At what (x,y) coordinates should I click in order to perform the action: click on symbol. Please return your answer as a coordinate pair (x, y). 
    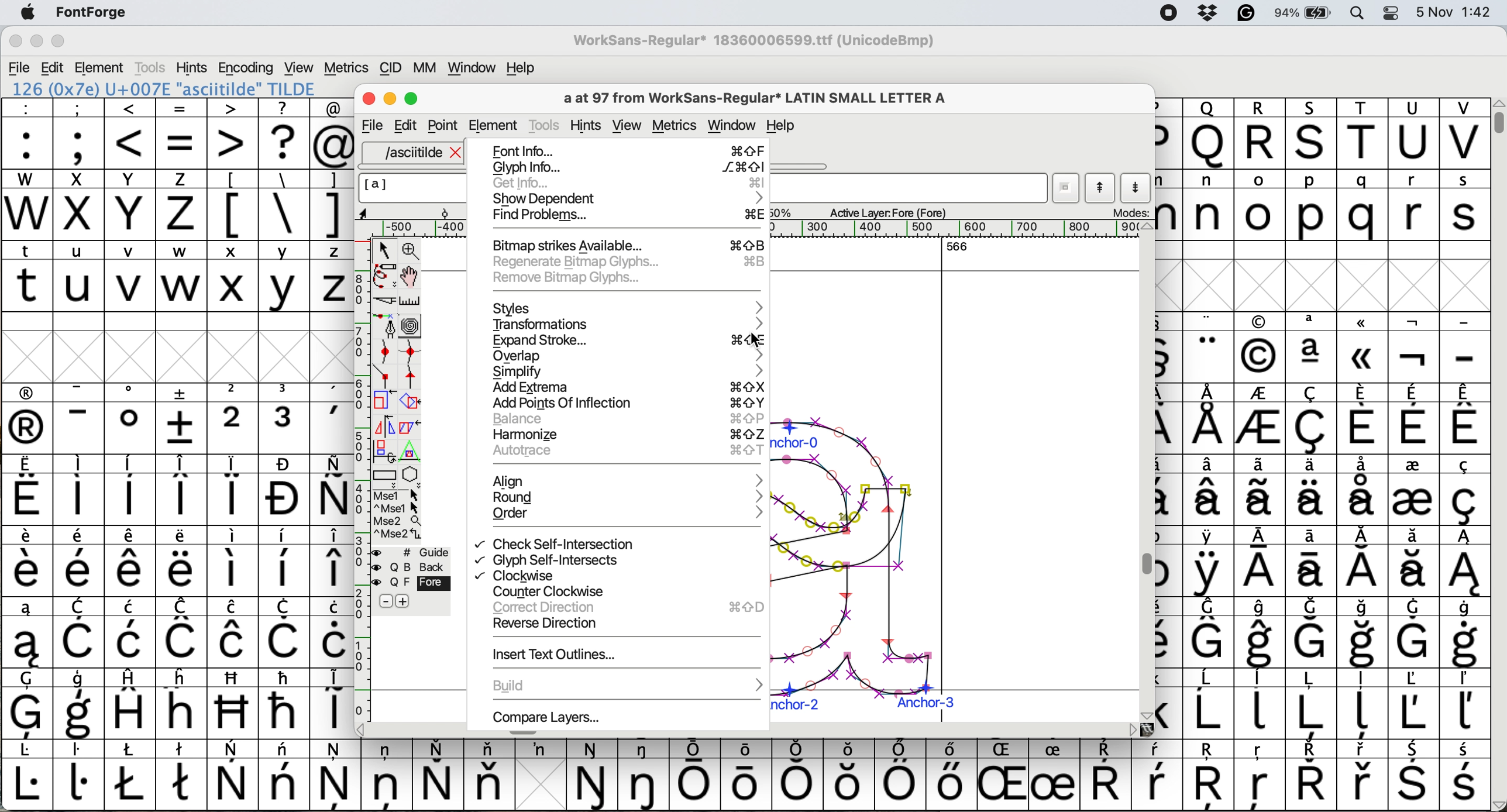
    Looking at the image, I should click on (1413, 562).